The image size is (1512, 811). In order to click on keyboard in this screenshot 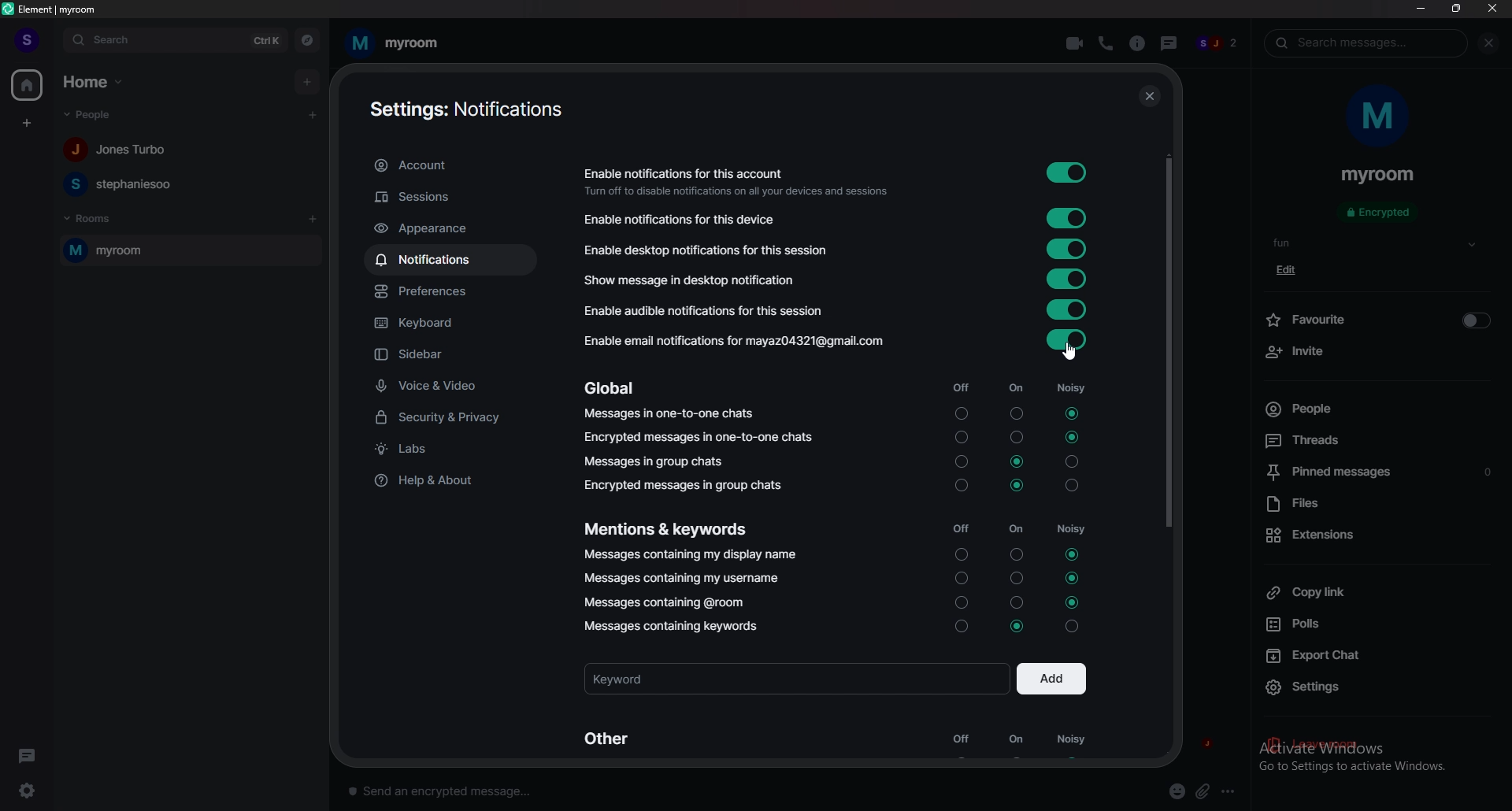, I will do `click(454, 324)`.